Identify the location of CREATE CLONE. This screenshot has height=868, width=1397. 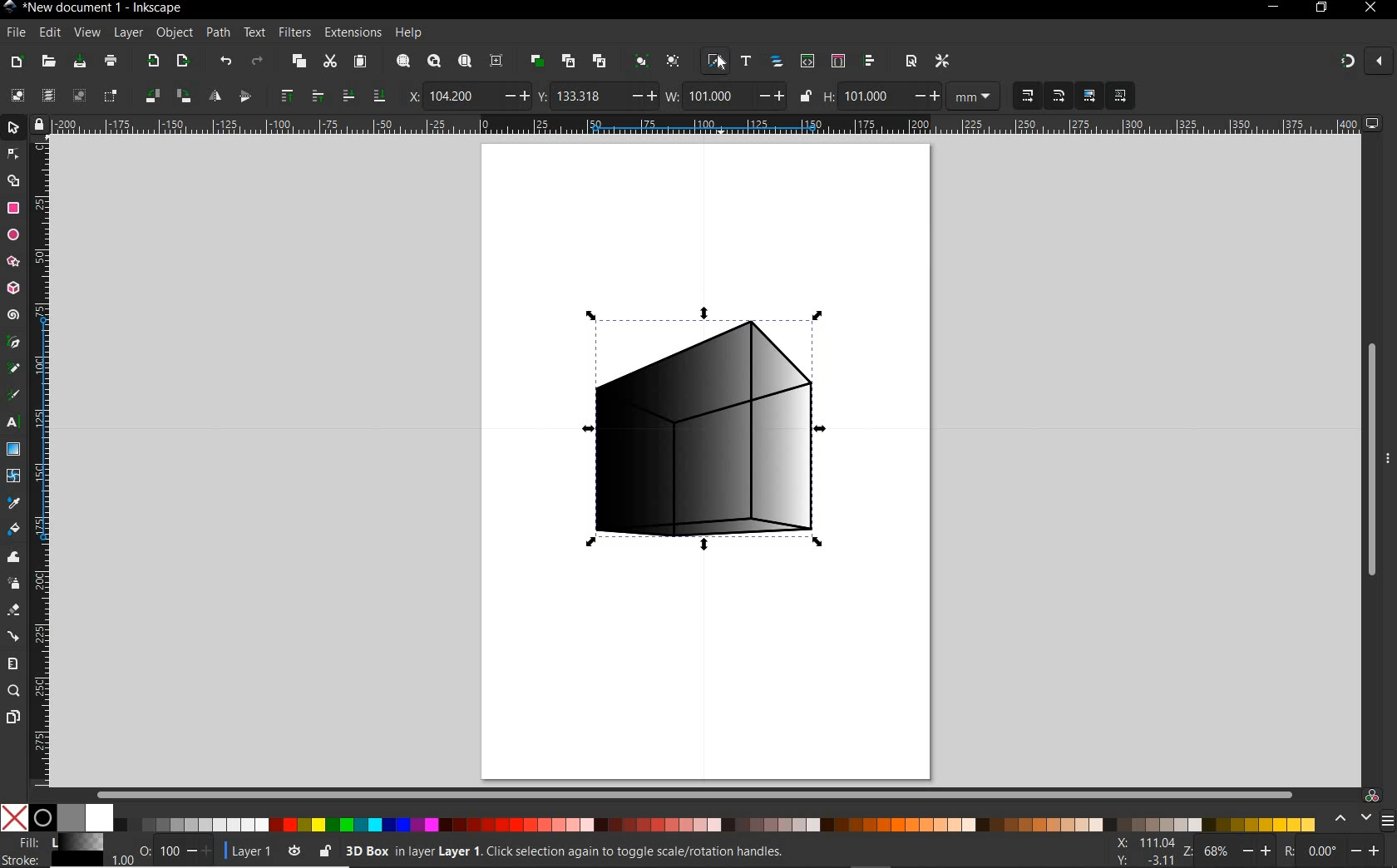
(569, 60).